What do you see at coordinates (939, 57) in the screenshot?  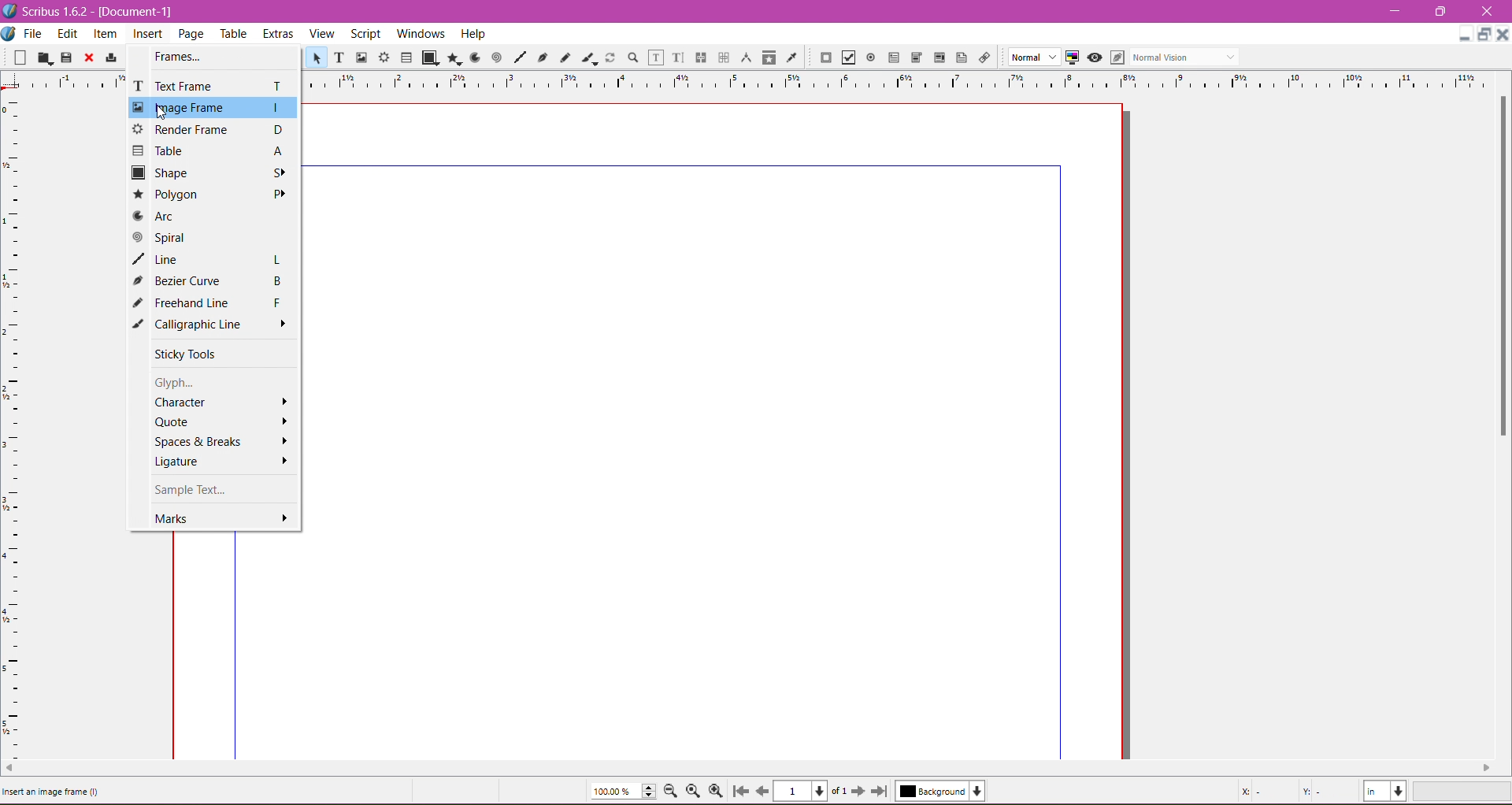 I see `PDF List Box` at bounding box center [939, 57].